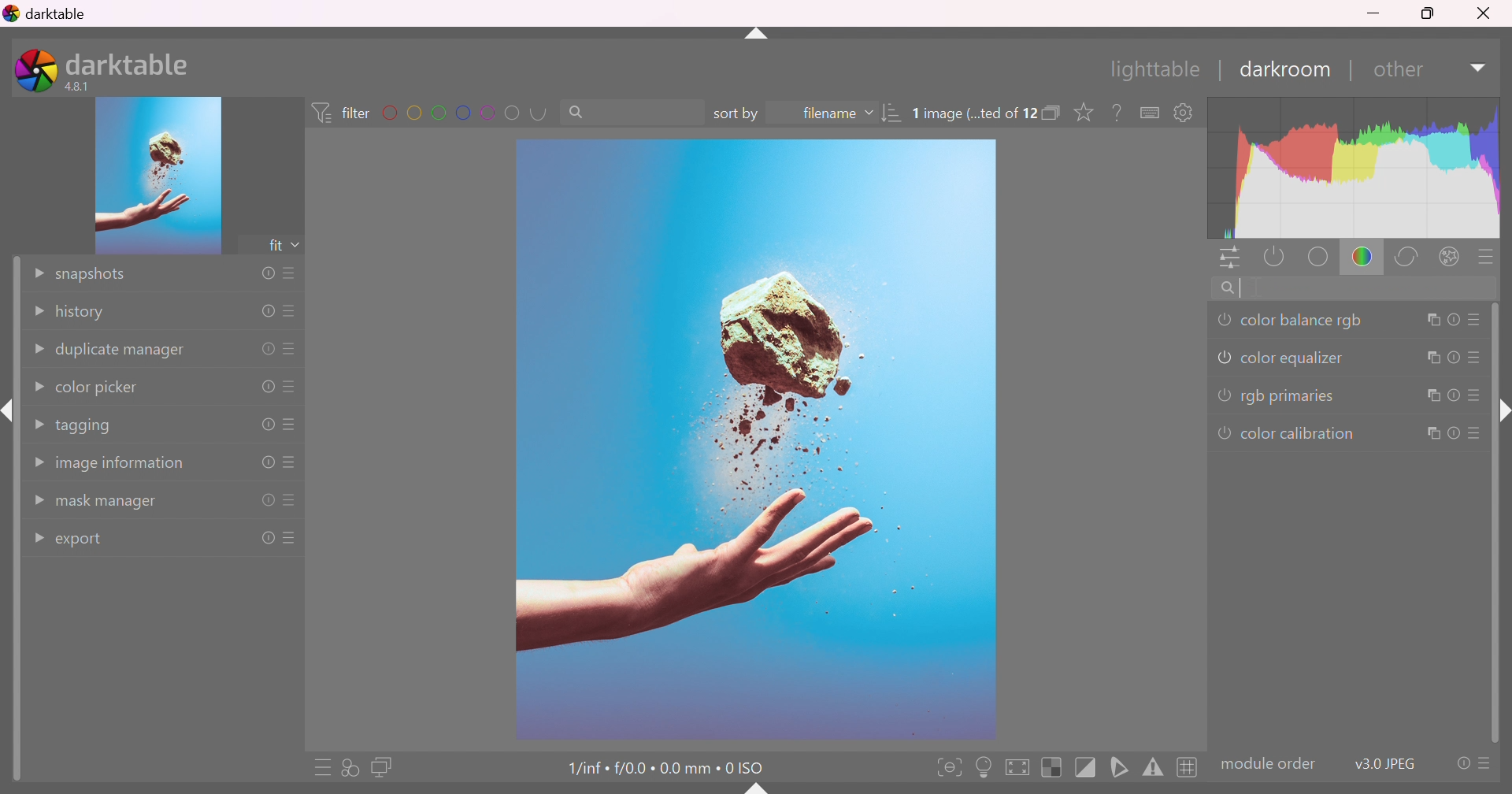  What do you see at coordinates (1477, 361) in the screenshot?
I see `presets` at bounding box center [1477, 361].